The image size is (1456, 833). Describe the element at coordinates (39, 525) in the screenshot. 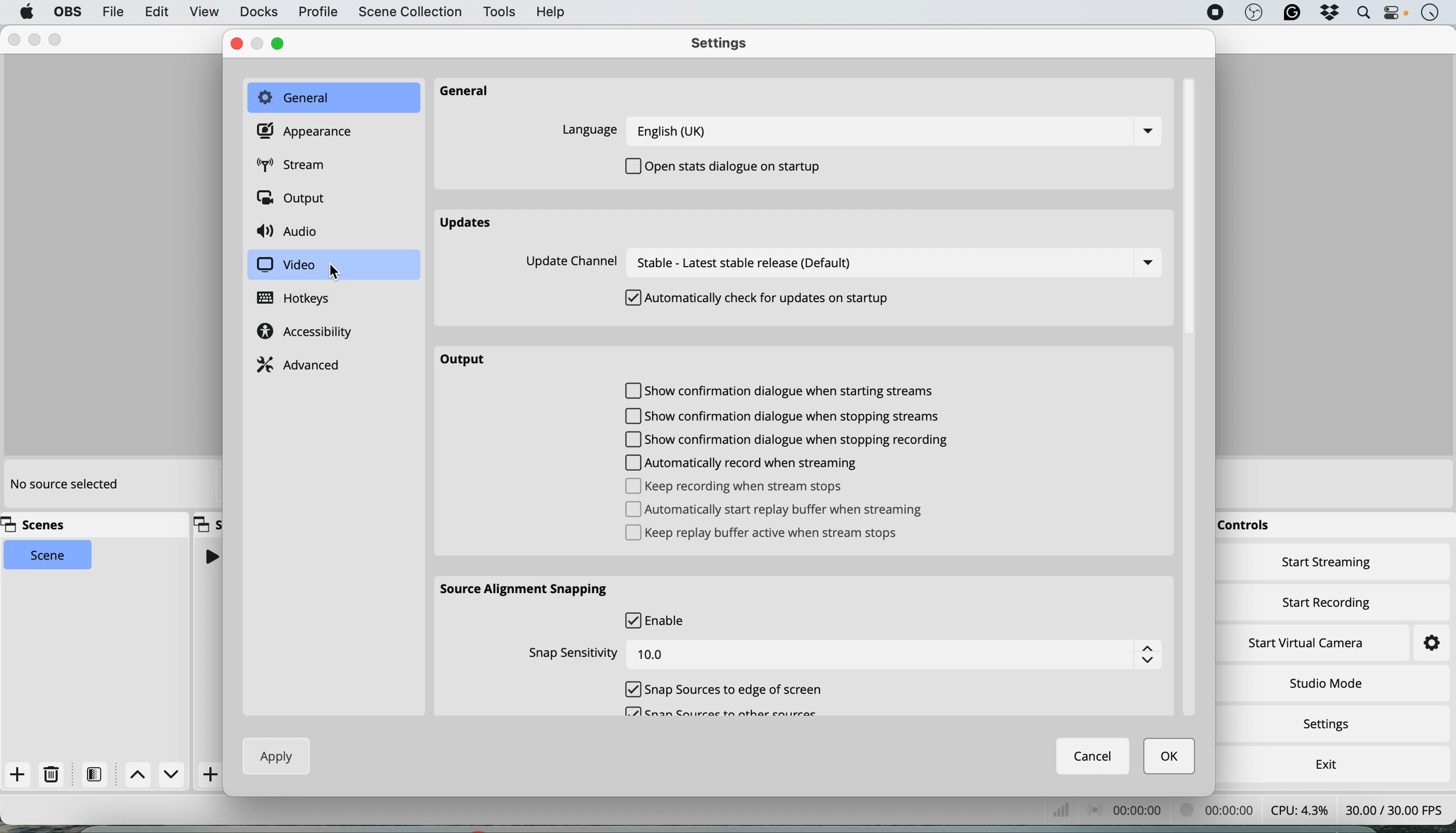

I see `scenes` at that location.